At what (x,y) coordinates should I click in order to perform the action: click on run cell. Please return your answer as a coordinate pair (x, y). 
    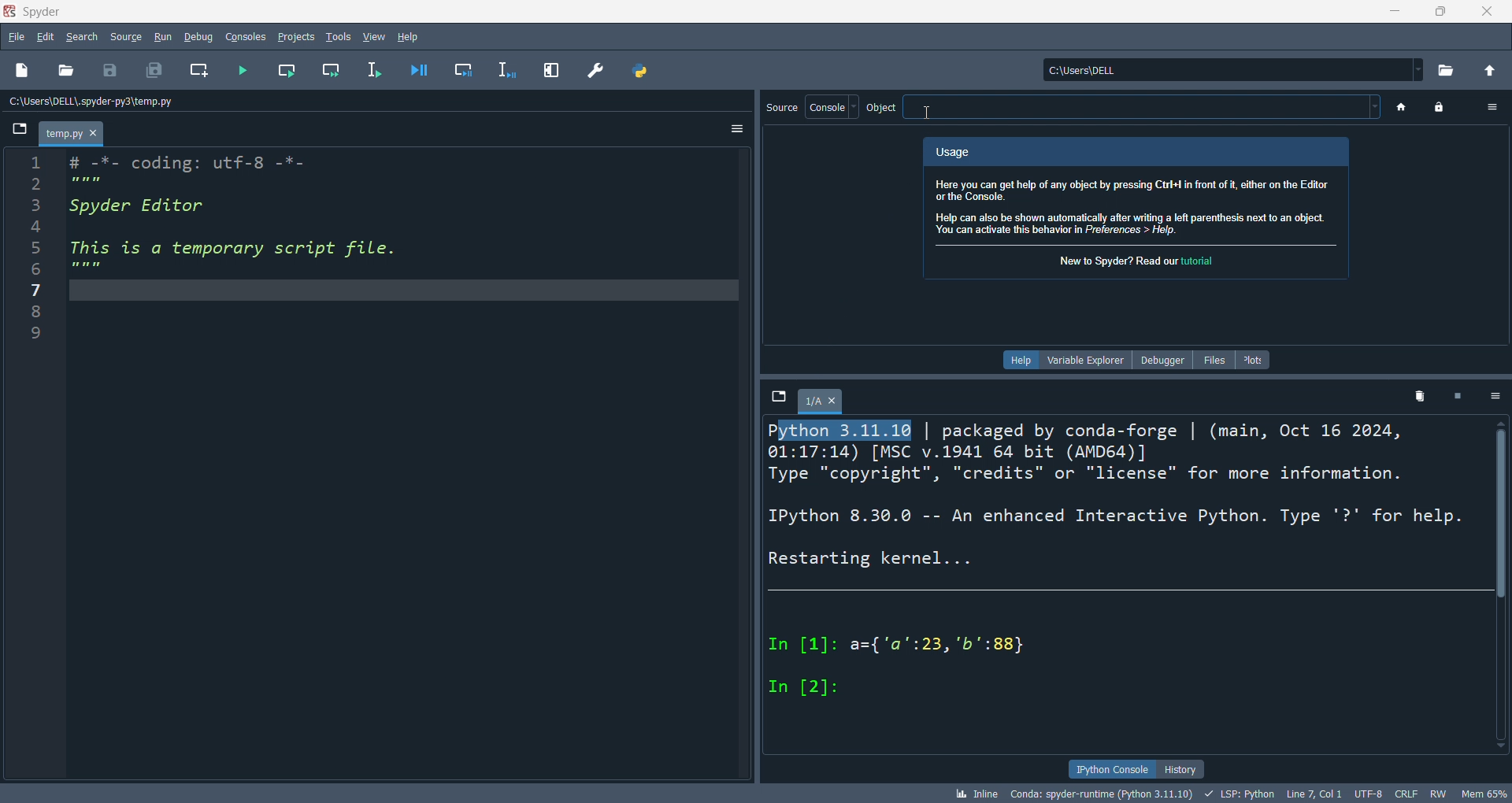
    Looking at the image, I should click on (287, 68).